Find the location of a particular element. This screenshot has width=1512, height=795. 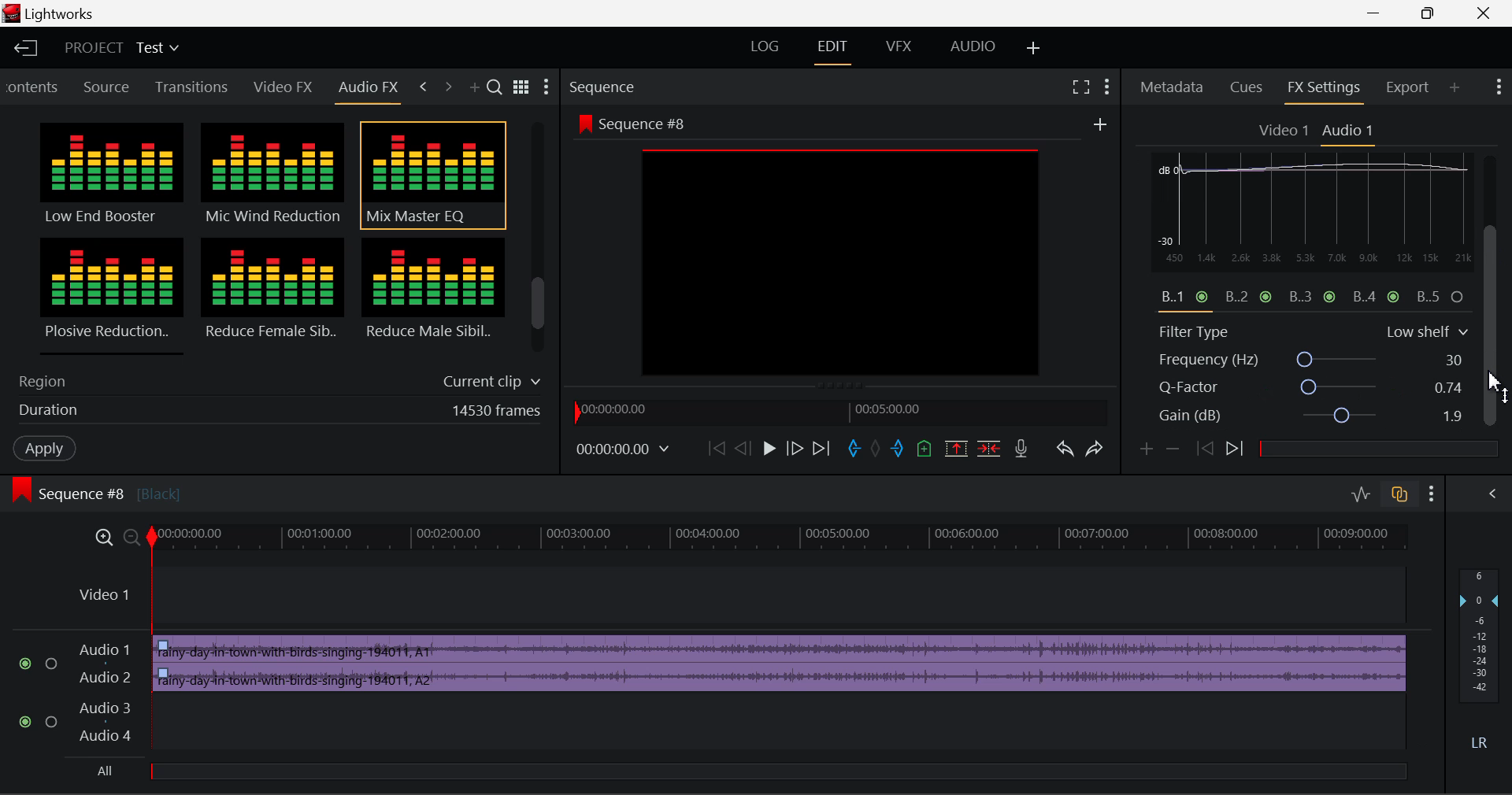

MOUSE_DOWN Cursor Position is located at coordinates (1496, 242).